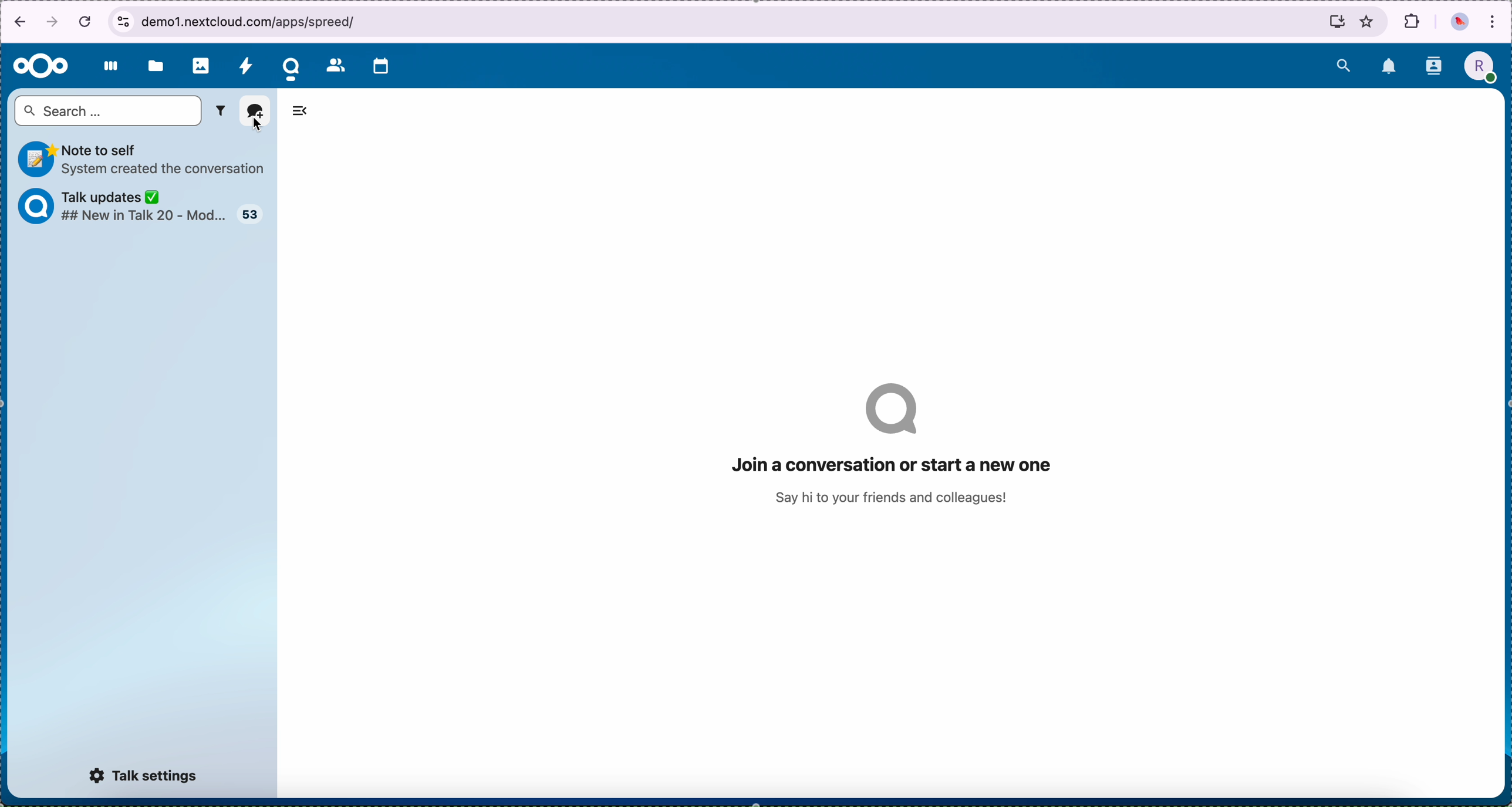  I want to click on talk updates, so click(120, 204).